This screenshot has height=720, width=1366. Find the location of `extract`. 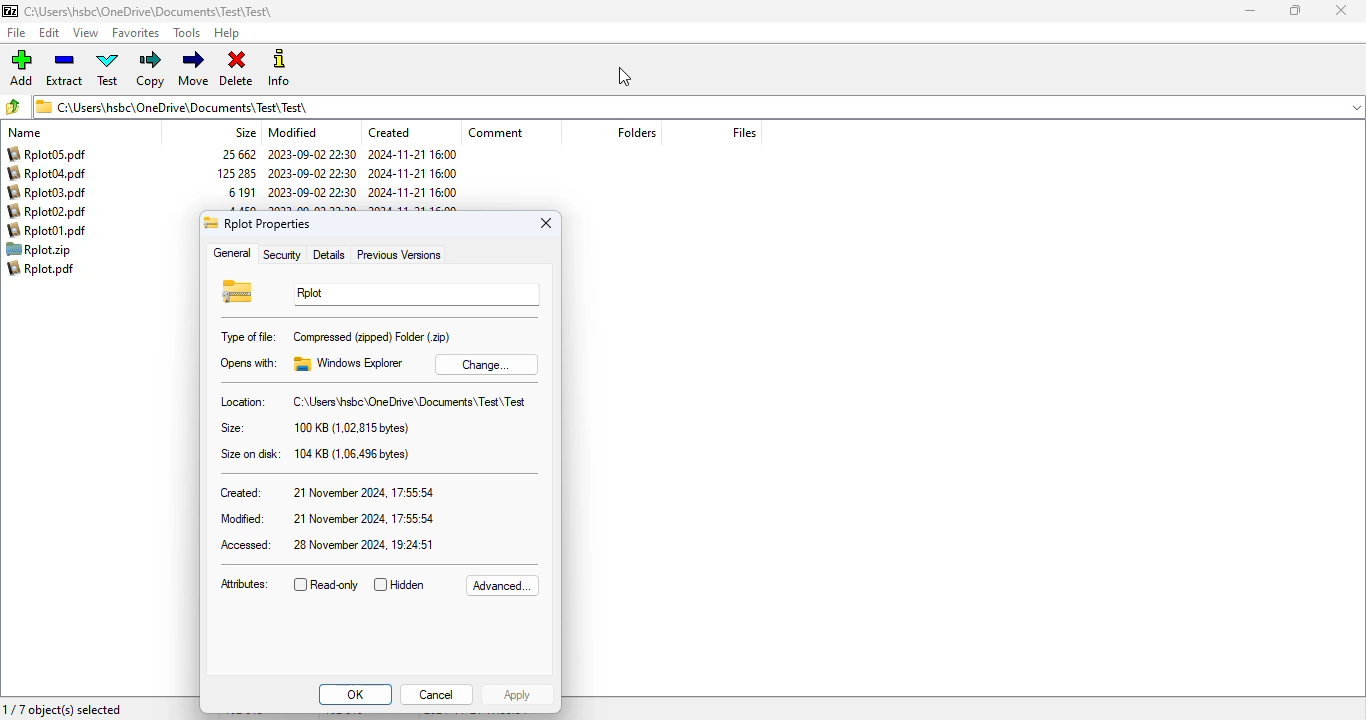

extract is located at coordinates (64, 68).